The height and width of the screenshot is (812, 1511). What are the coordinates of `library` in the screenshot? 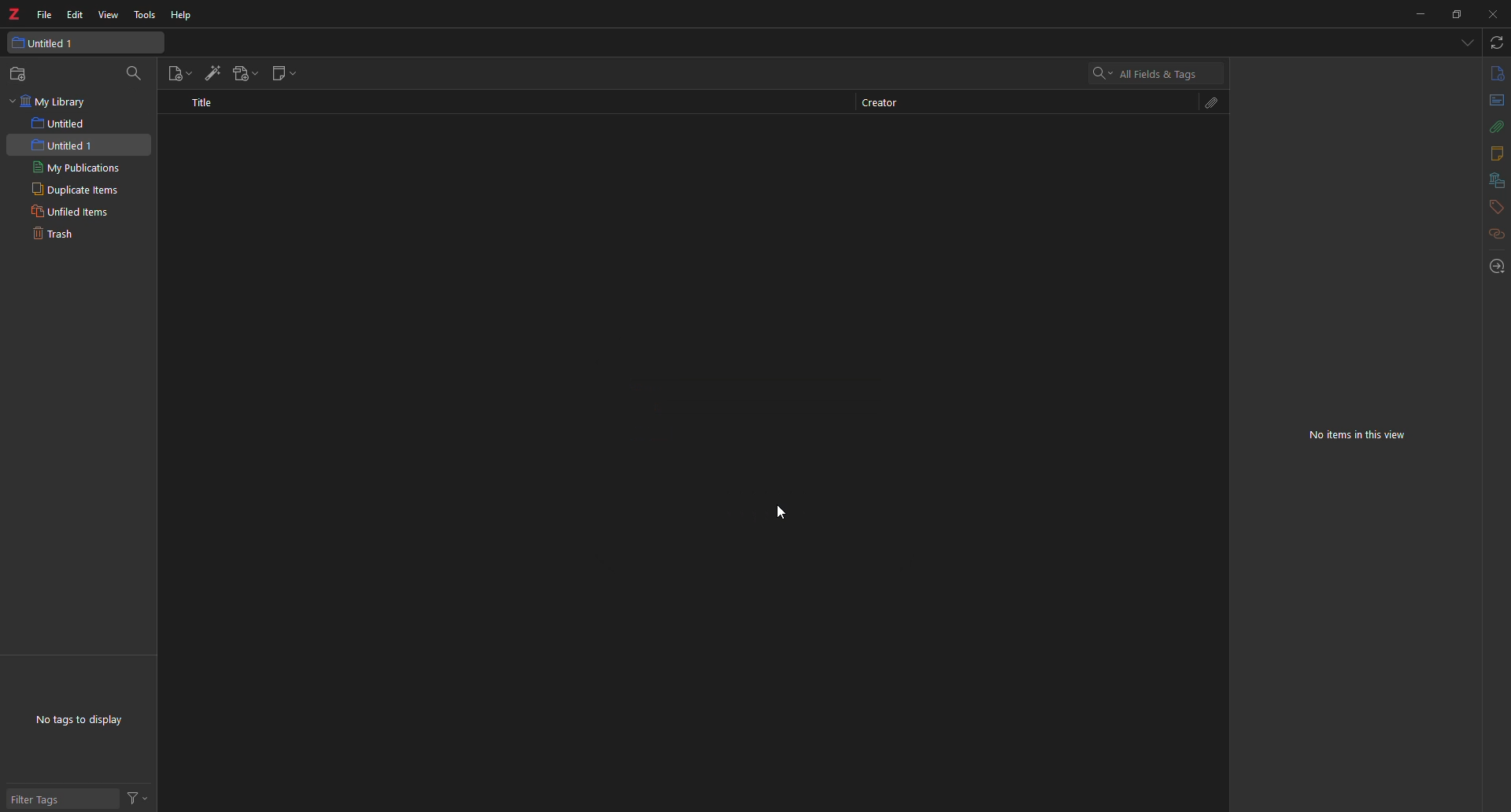 It's located at (1491, 181).